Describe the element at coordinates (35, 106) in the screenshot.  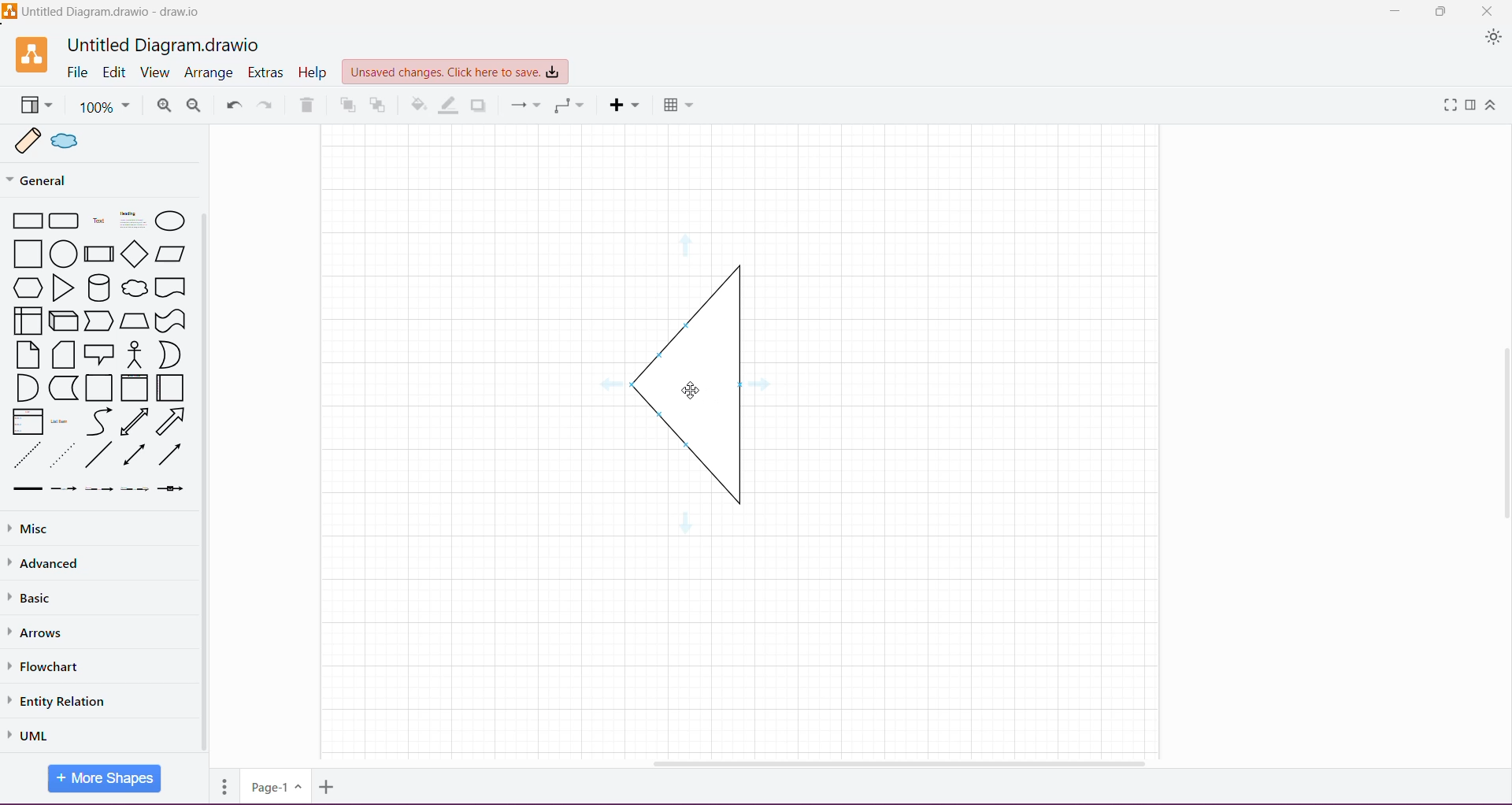
I see `View` at that location.